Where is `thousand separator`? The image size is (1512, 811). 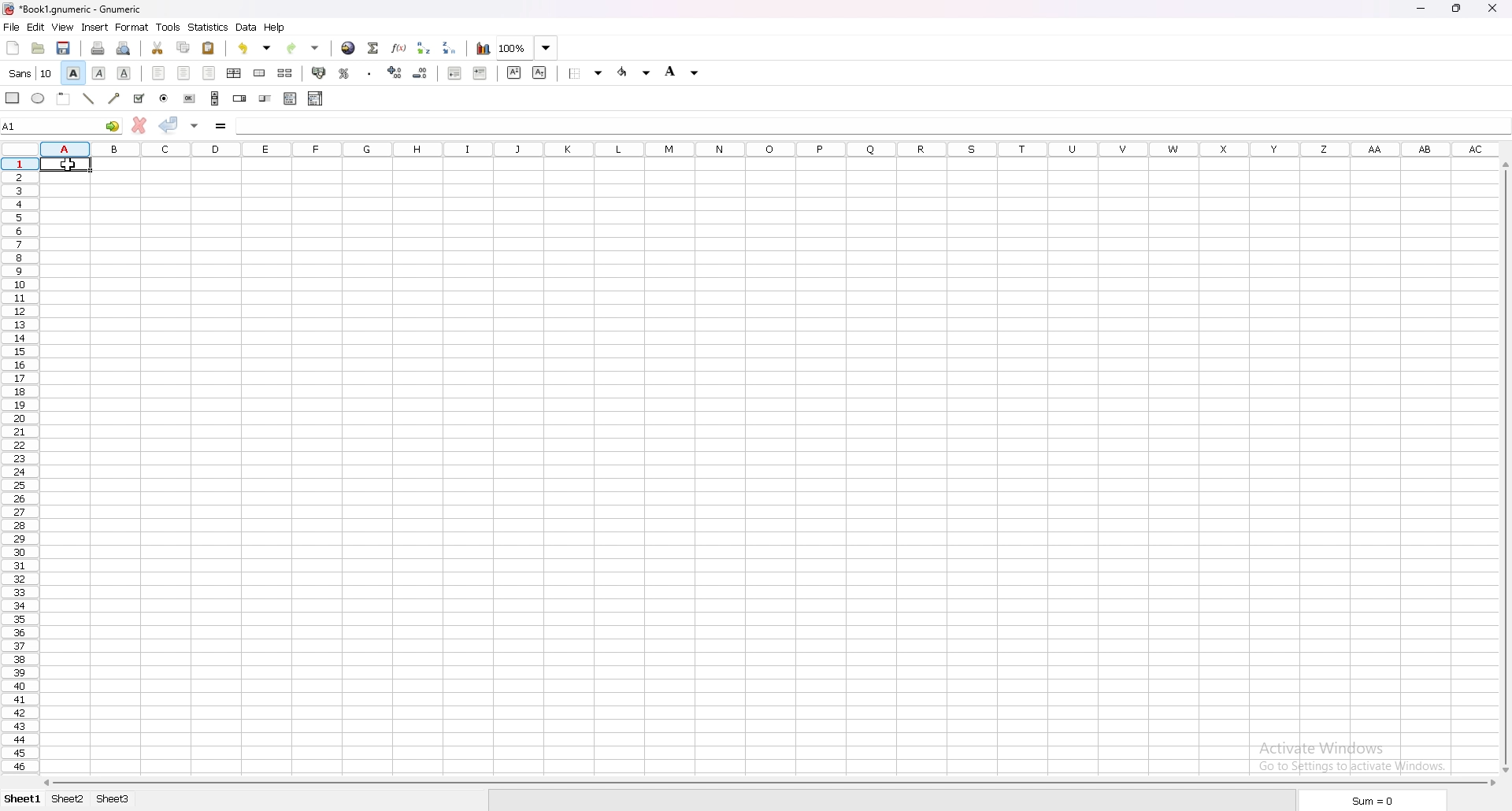
thousand separator is located at coordinates (369, 73).